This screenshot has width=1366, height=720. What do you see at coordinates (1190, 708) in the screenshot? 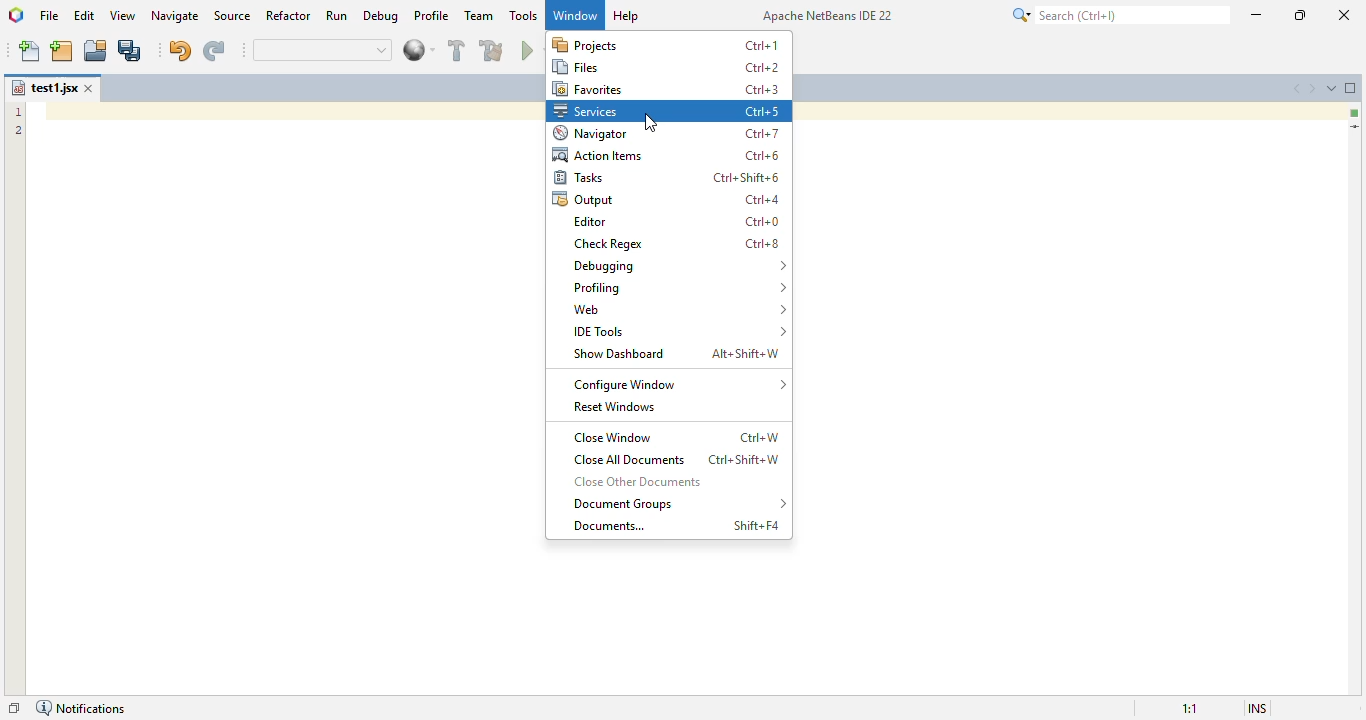
I see `magnification ratio` at bounding box center [1190, 708].